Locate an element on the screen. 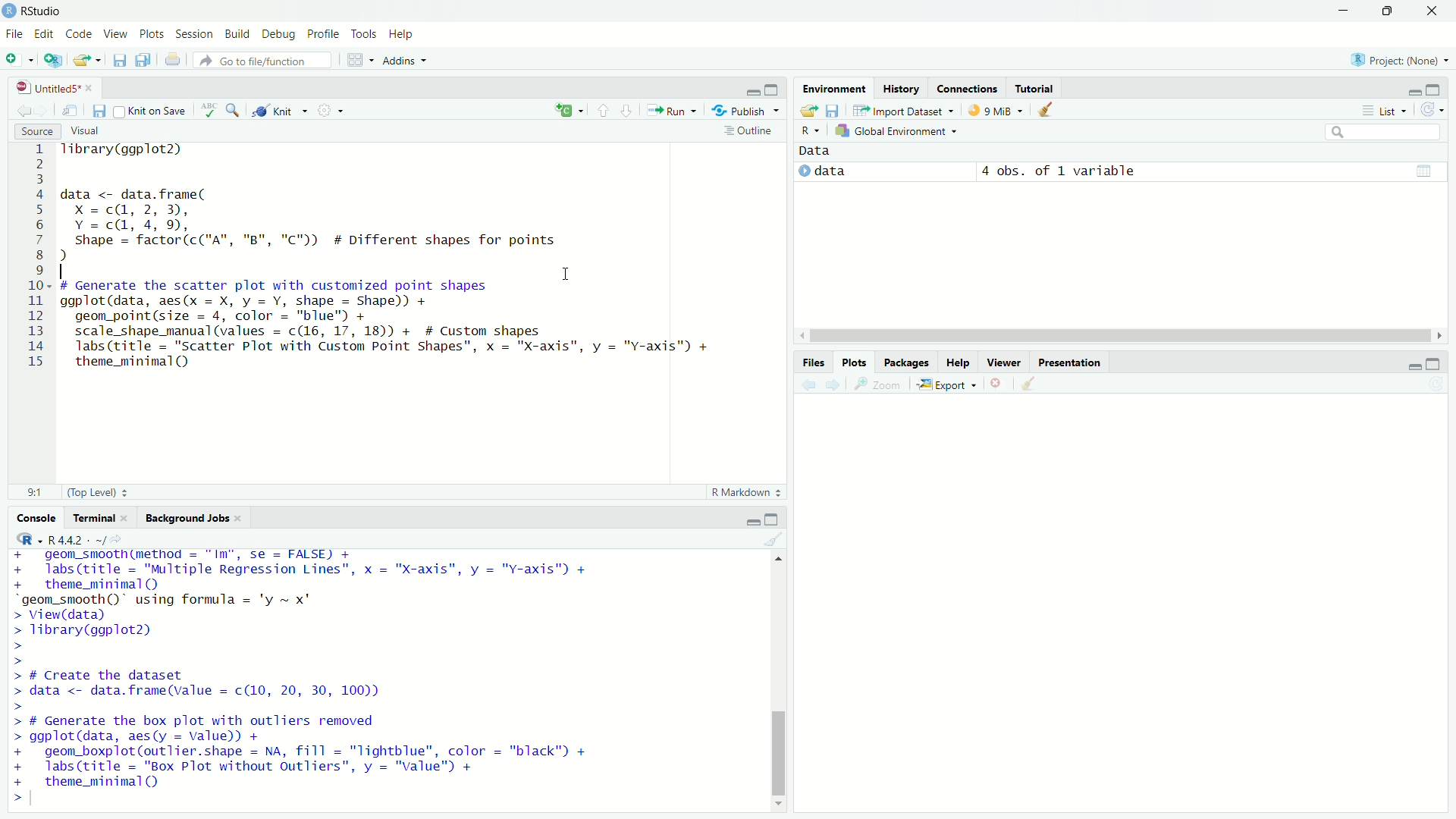  Addins is located at coordinates (406, 60).